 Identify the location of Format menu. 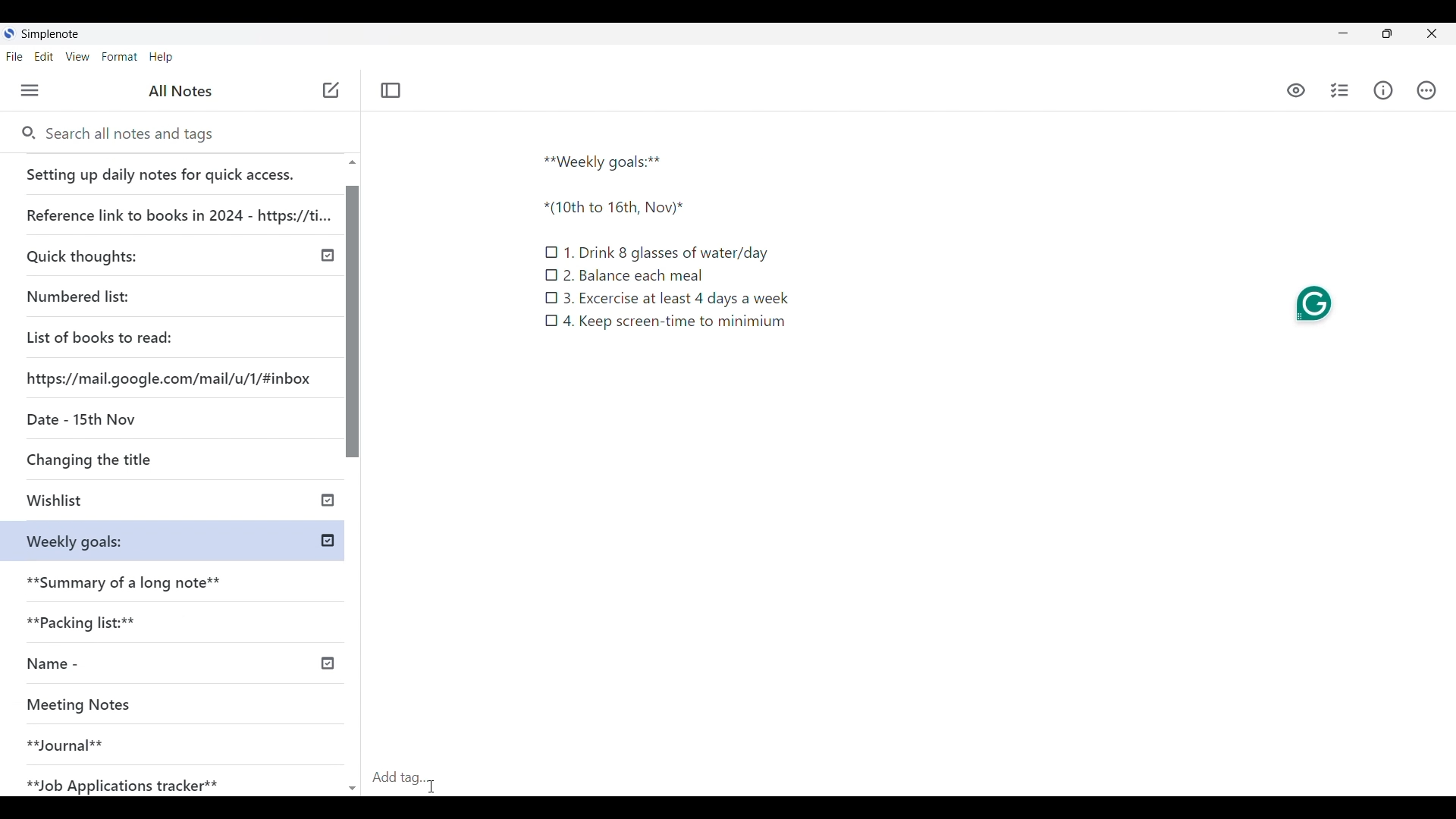
(120, 57).